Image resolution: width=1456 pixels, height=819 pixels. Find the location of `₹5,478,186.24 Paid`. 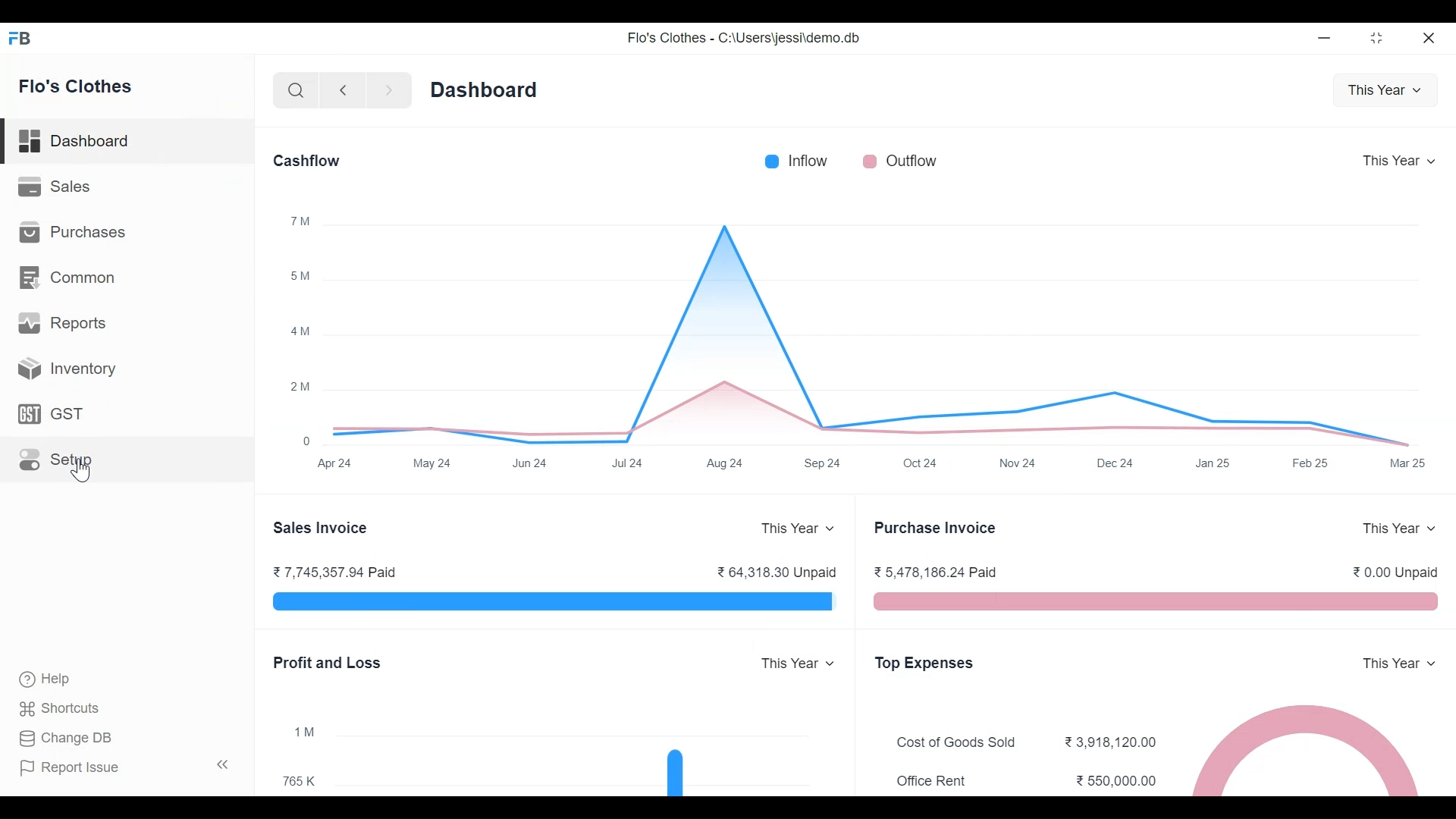

₹5,478,186.24 Paid is located at coordinates (938, 573).